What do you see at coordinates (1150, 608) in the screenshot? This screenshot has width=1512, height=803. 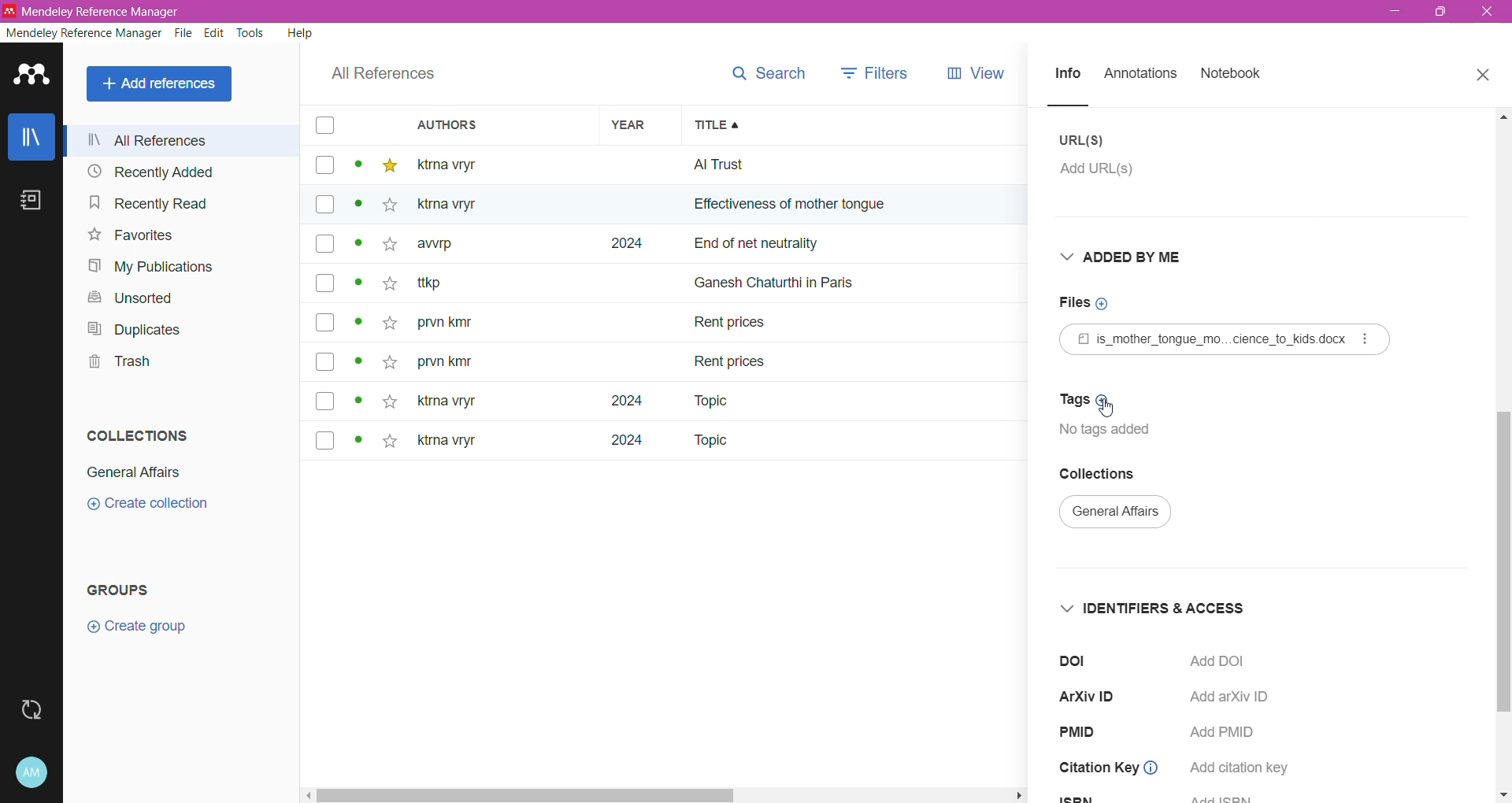 I see `Identifiers and Access` at bounding box center [1150, 608].